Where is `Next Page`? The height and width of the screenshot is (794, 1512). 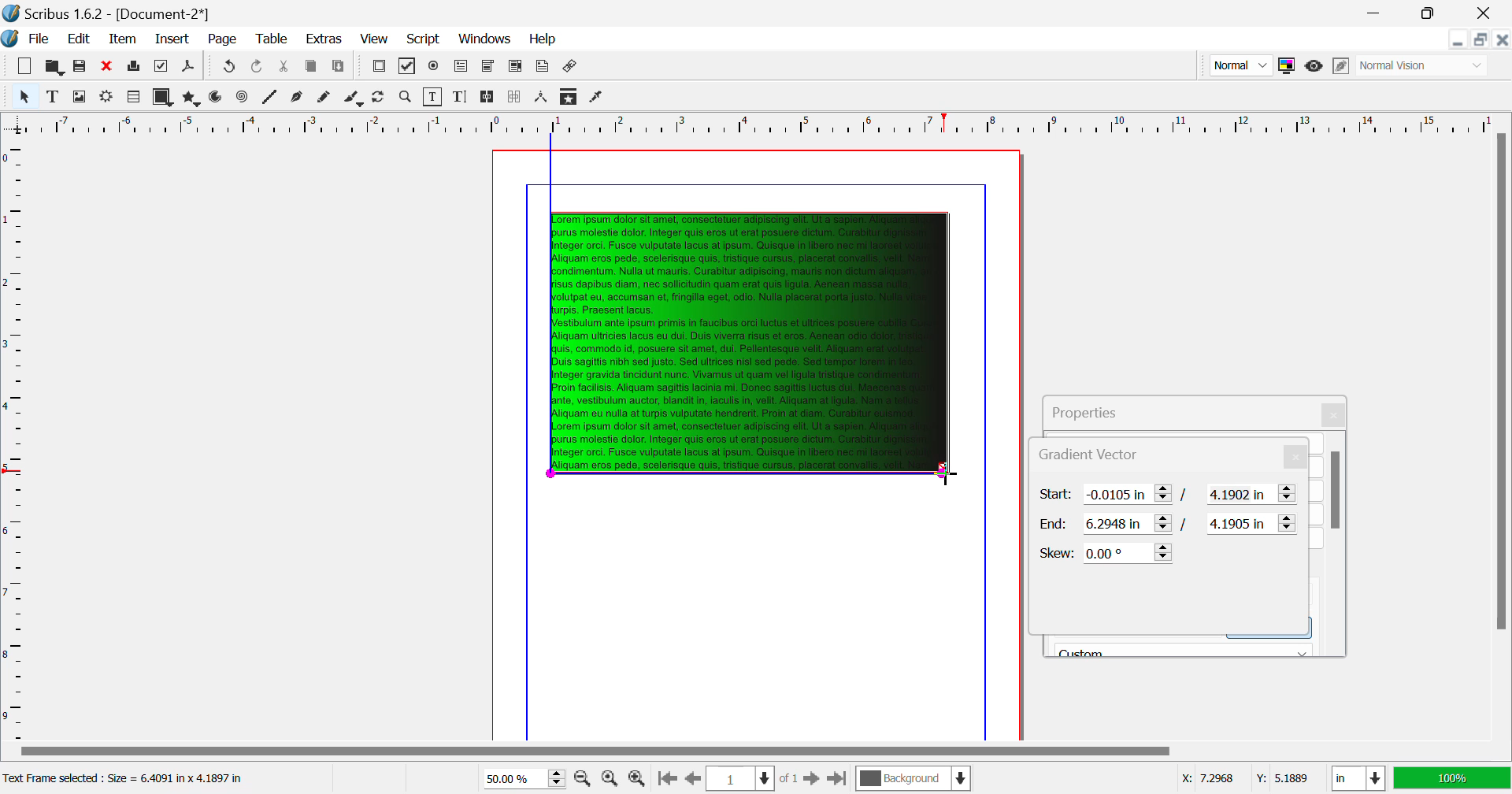 Next Page is located at coordinates (811, 777).